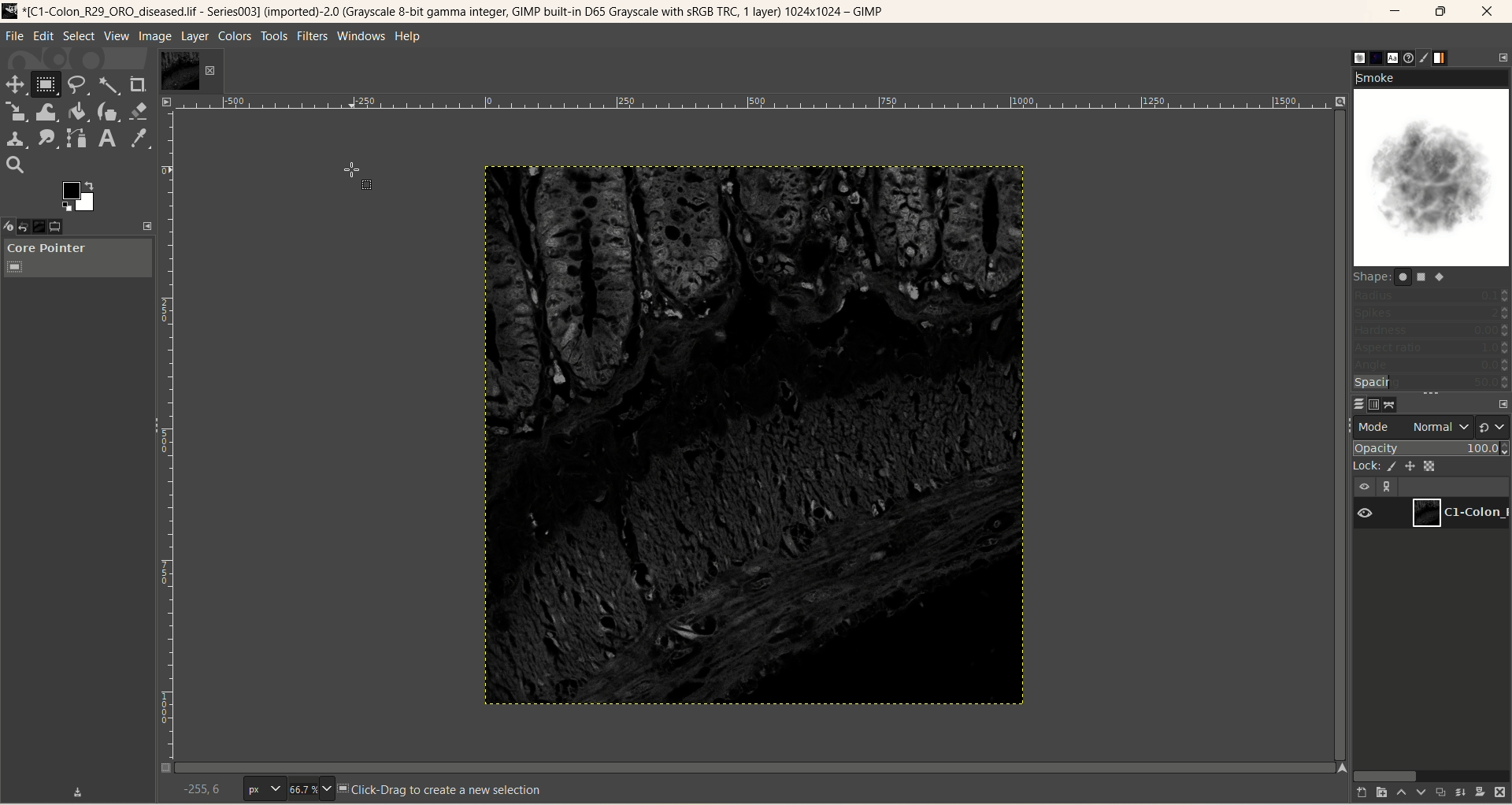  I want to click on configure this tab, so click(1503, 405).